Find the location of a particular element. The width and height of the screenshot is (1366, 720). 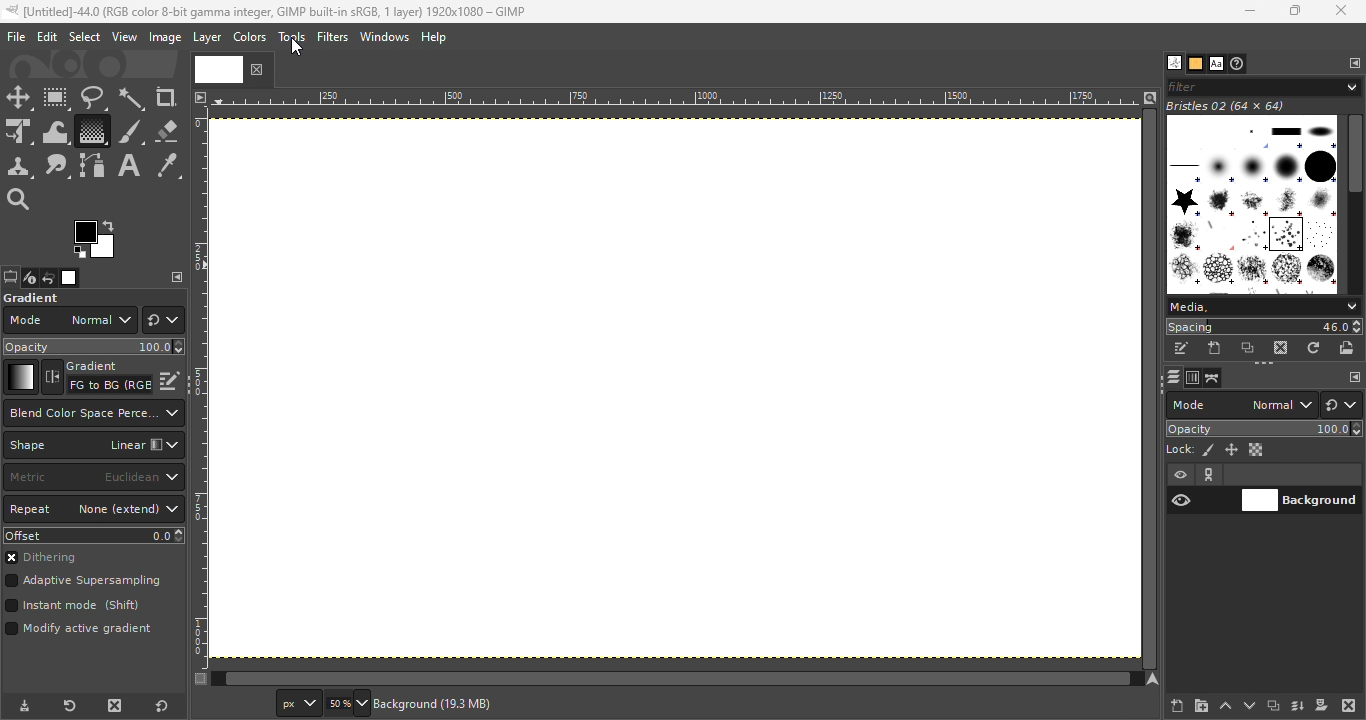

Access the image menu is located at coordinates (199, 95).